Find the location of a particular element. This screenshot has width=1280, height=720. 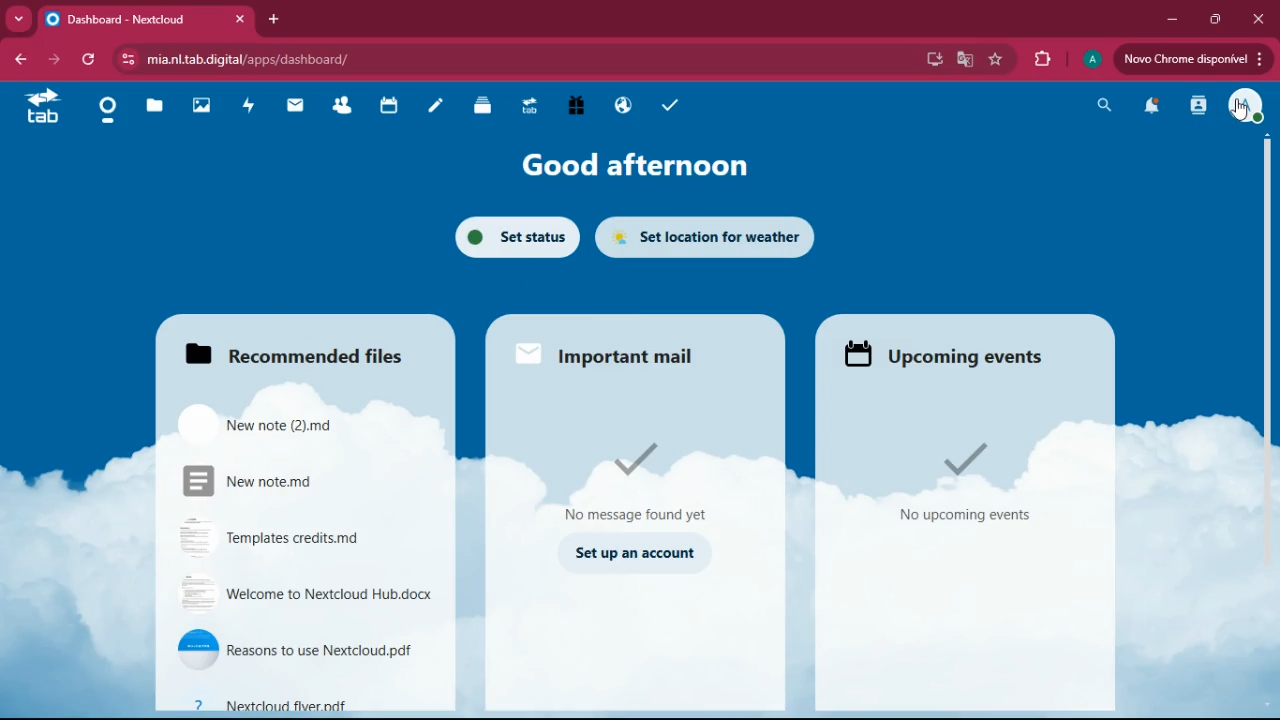

set location is located at coordinates (716, 236).